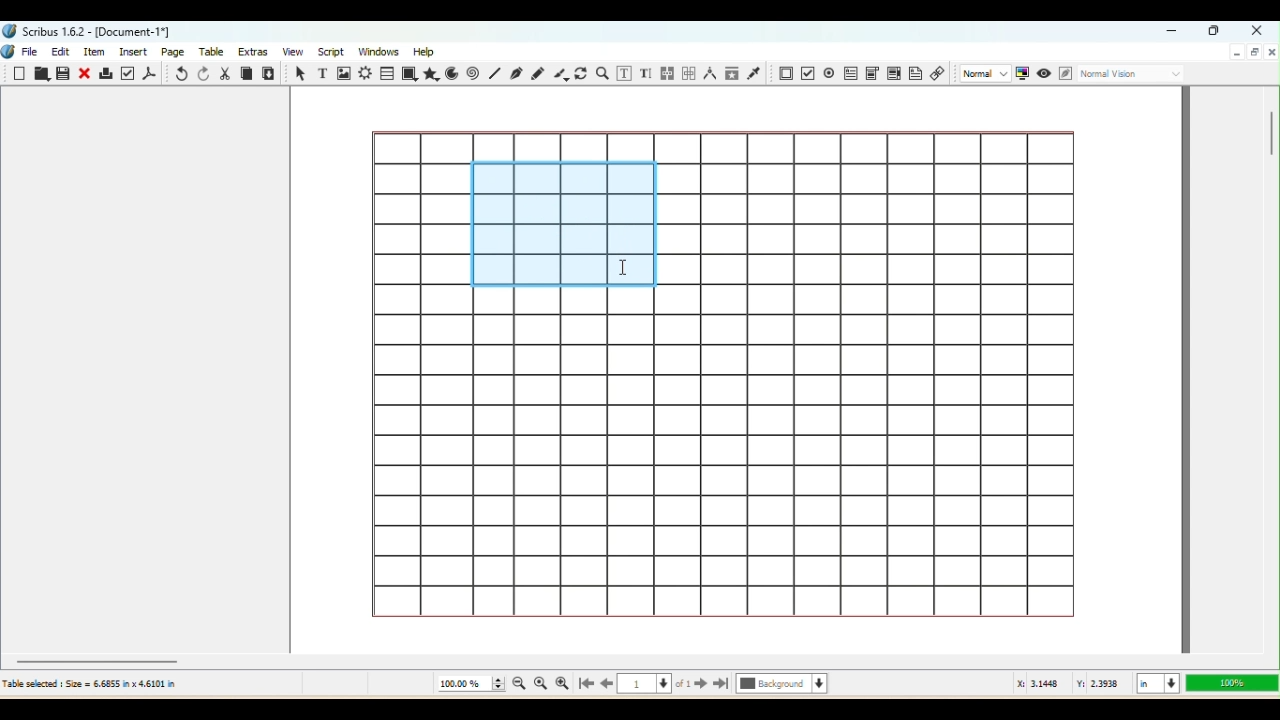 The image size is (1280, 720). Describe the element at coordinates (388, 73) in the screenshot. I see `Table` at that location.